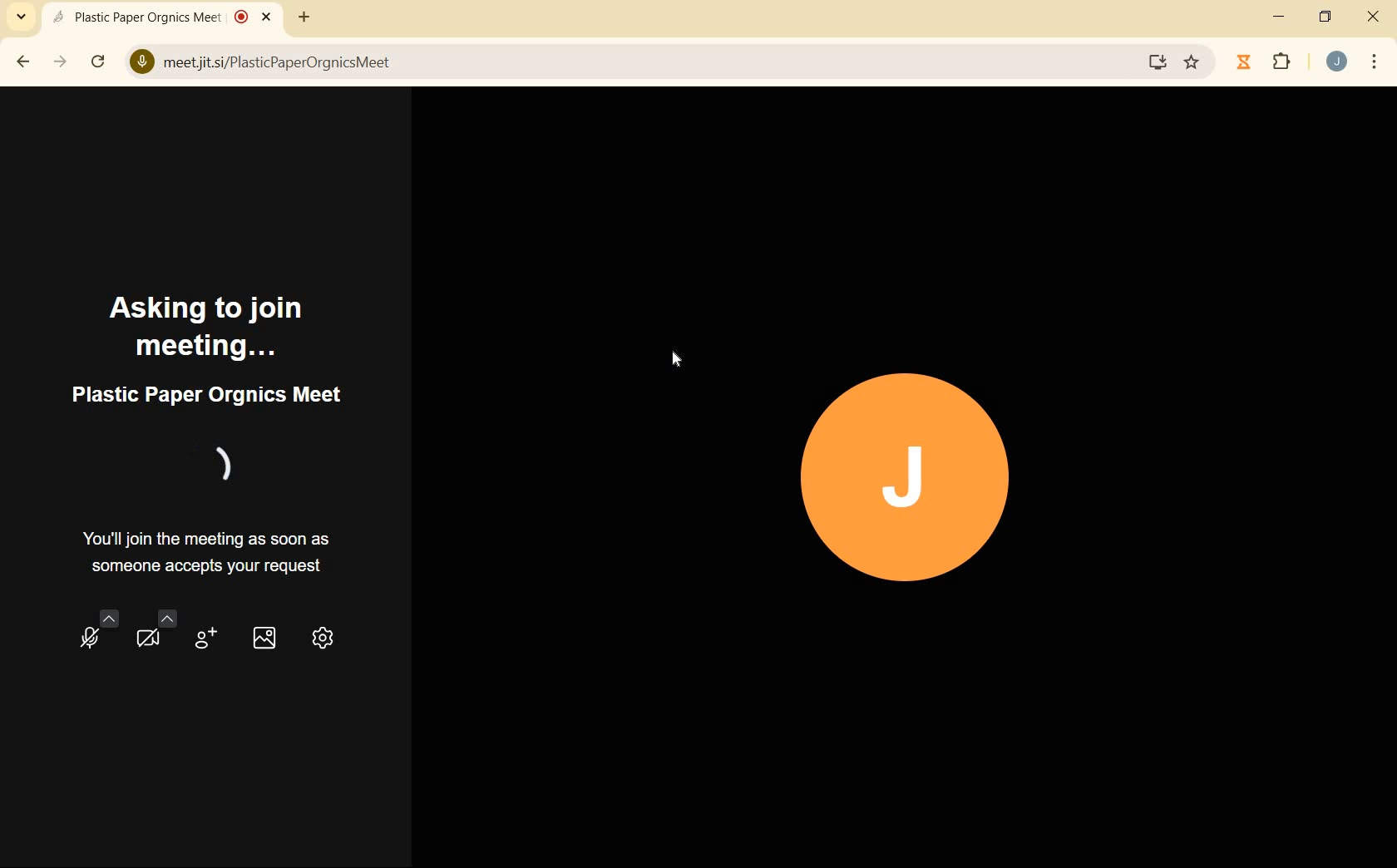  I want to click on search tabs, so click(22, 16).